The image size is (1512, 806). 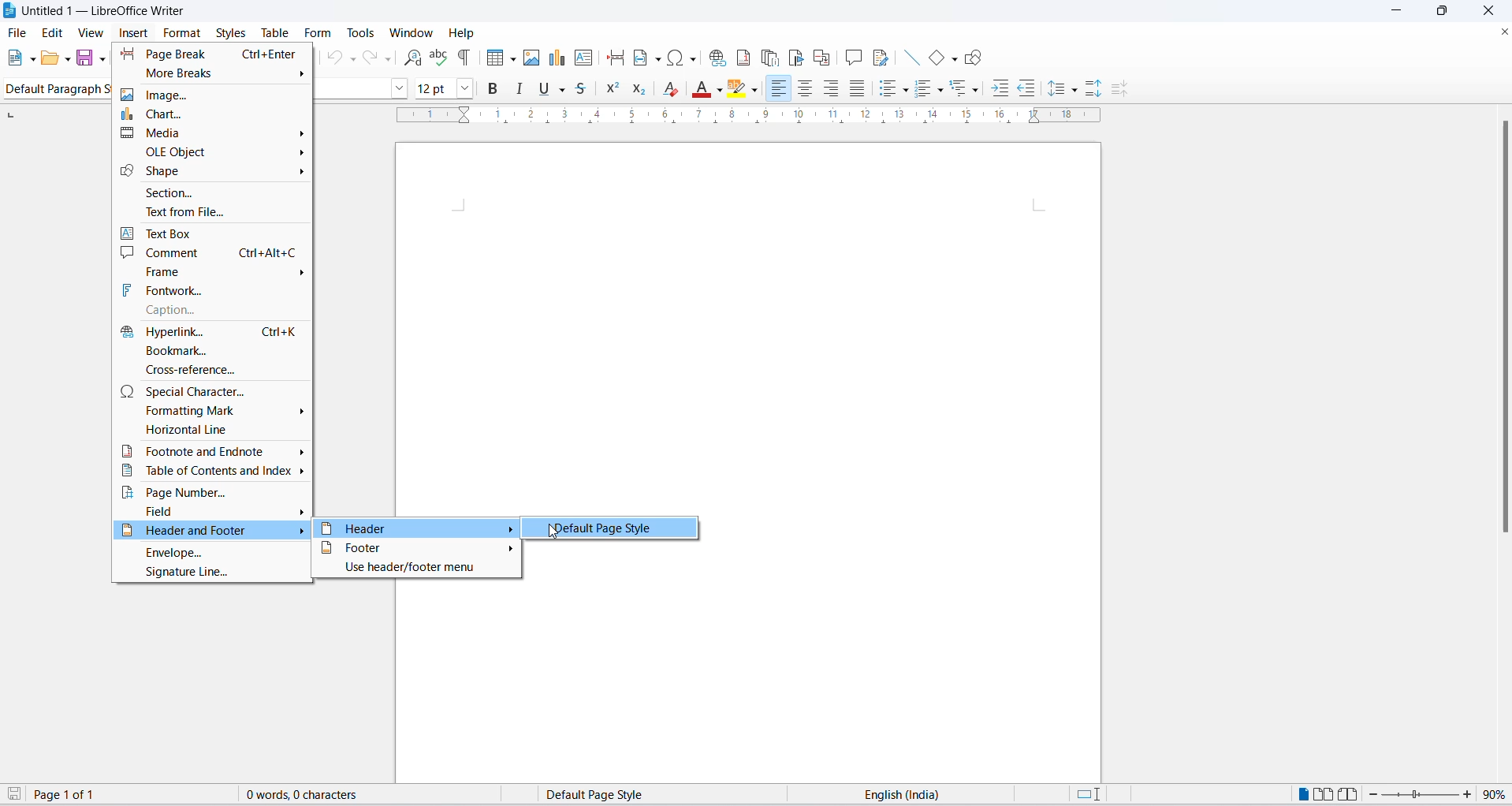 What do you see at coordinates (554, 532) in the screenshot?
I see `cursor` at bounding box center [554, 532].